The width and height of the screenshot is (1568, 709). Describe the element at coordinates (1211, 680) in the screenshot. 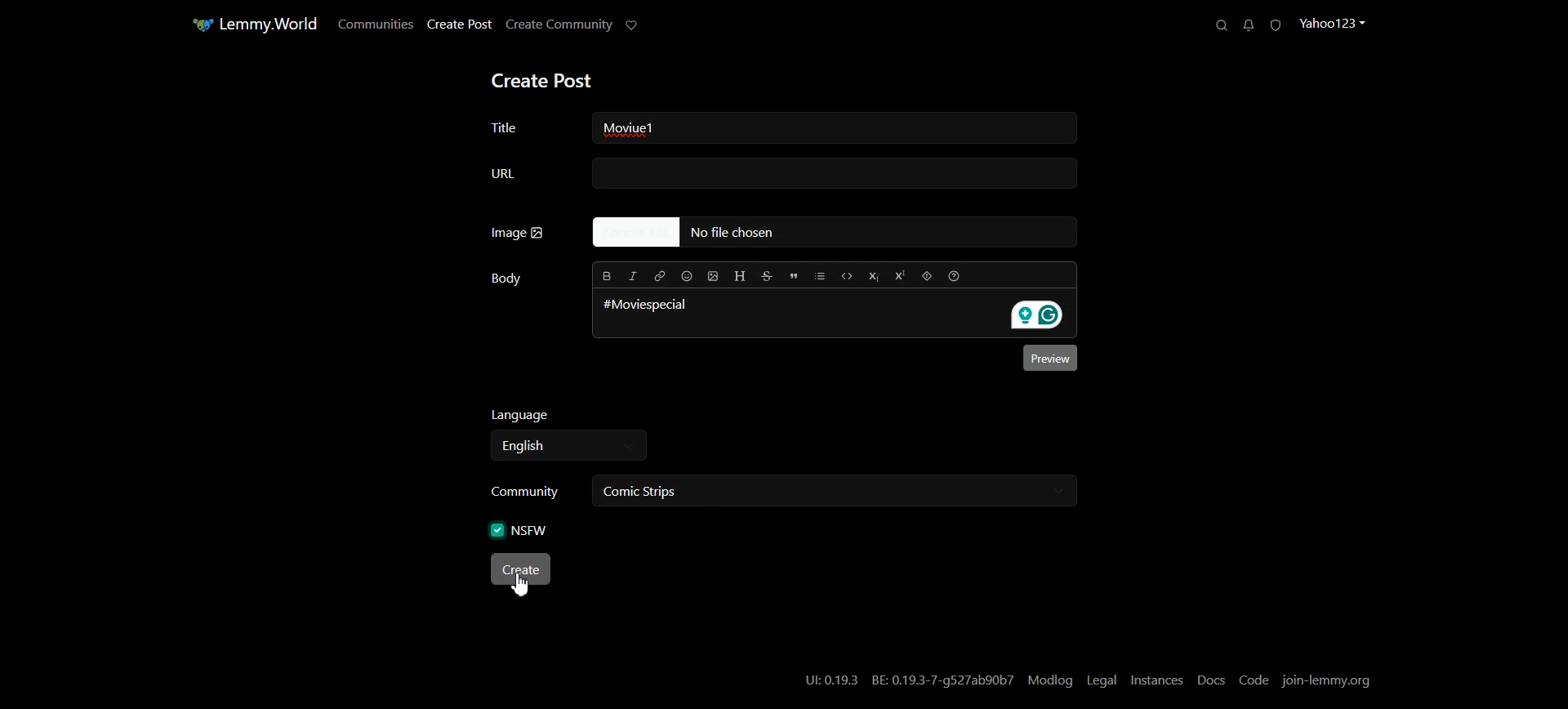

I see `Docs` at that location.